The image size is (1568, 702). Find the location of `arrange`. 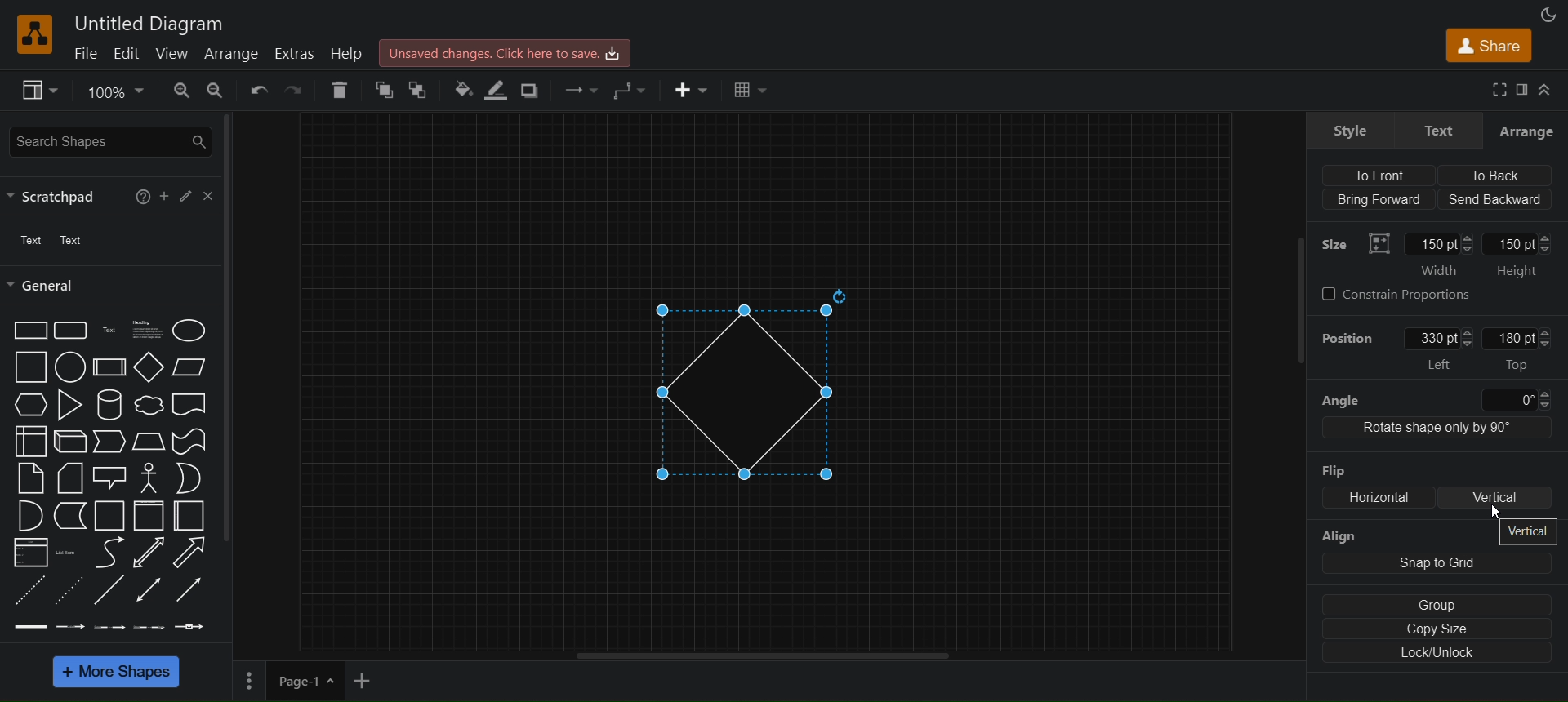

arrange is located at coordinates (1528, 128).